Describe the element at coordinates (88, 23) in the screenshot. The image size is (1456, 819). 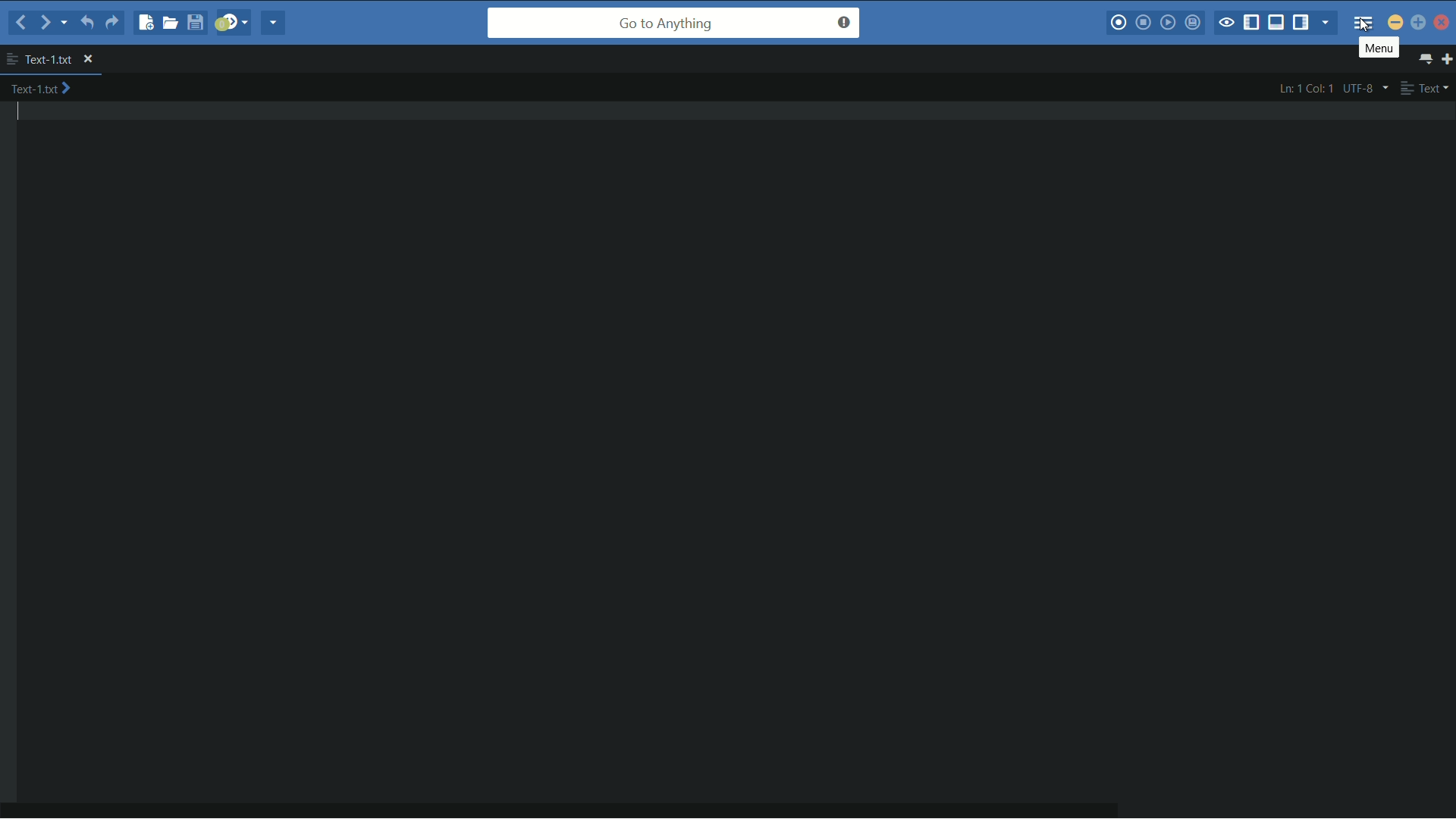
I see `undo` at that location.